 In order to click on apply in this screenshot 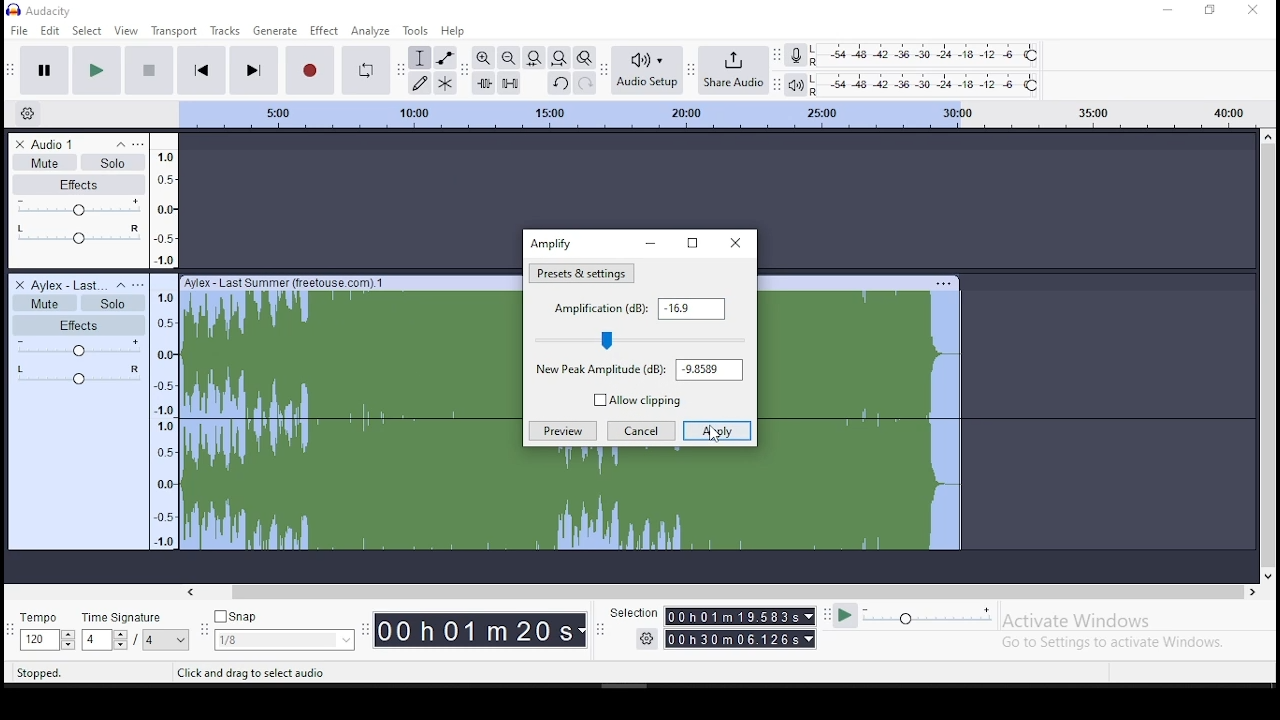, I will do `click(718, 431)`.